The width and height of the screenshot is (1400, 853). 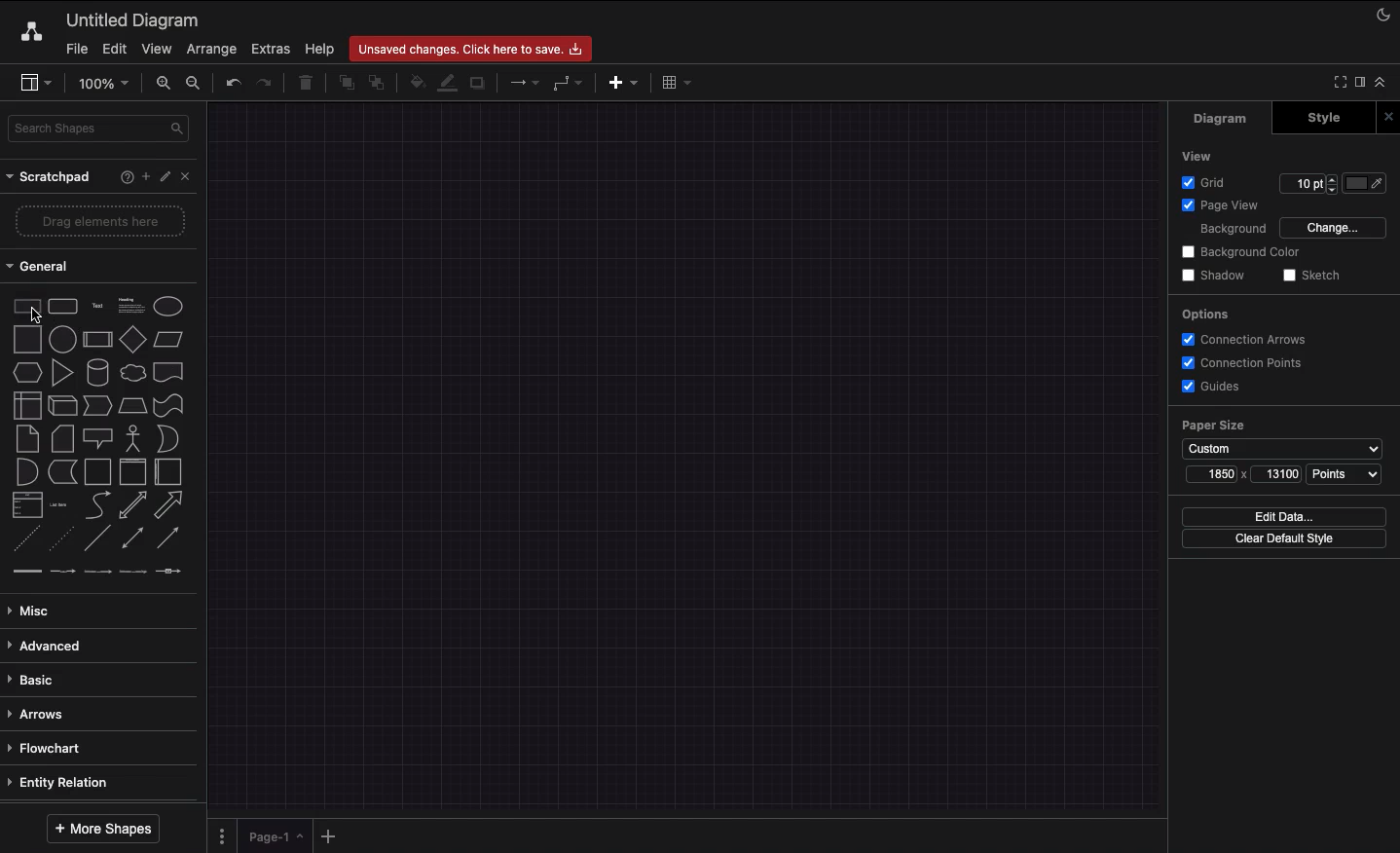 What do you see at coordinates (377, 86) in the screenshot?
I see `To back` at bounding box center [377, 86].